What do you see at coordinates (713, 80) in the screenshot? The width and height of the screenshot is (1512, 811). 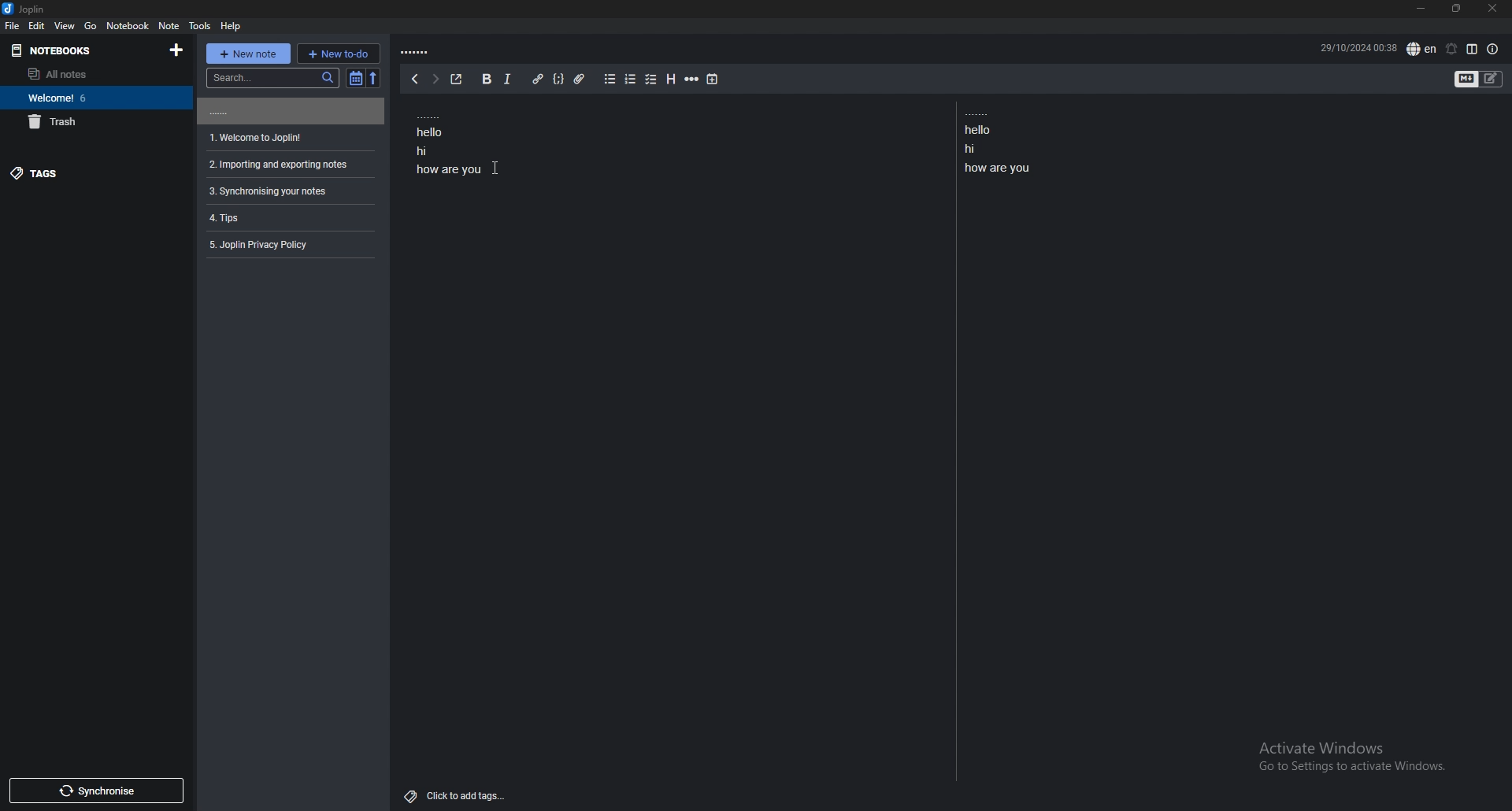 I see `add time` at bounding box center [713, 80].